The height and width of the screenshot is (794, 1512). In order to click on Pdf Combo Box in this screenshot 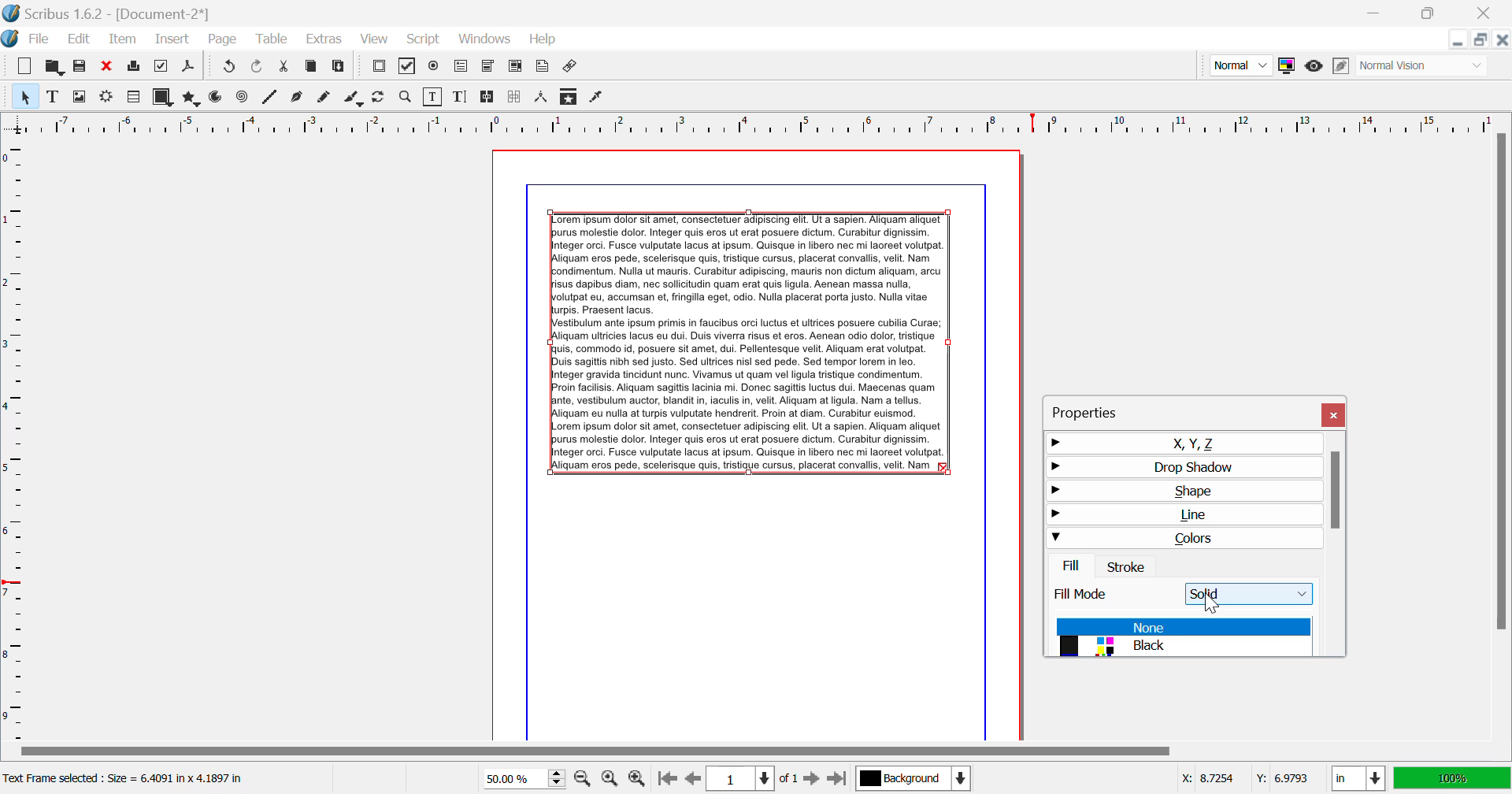, I will do `click(487, 67)`.